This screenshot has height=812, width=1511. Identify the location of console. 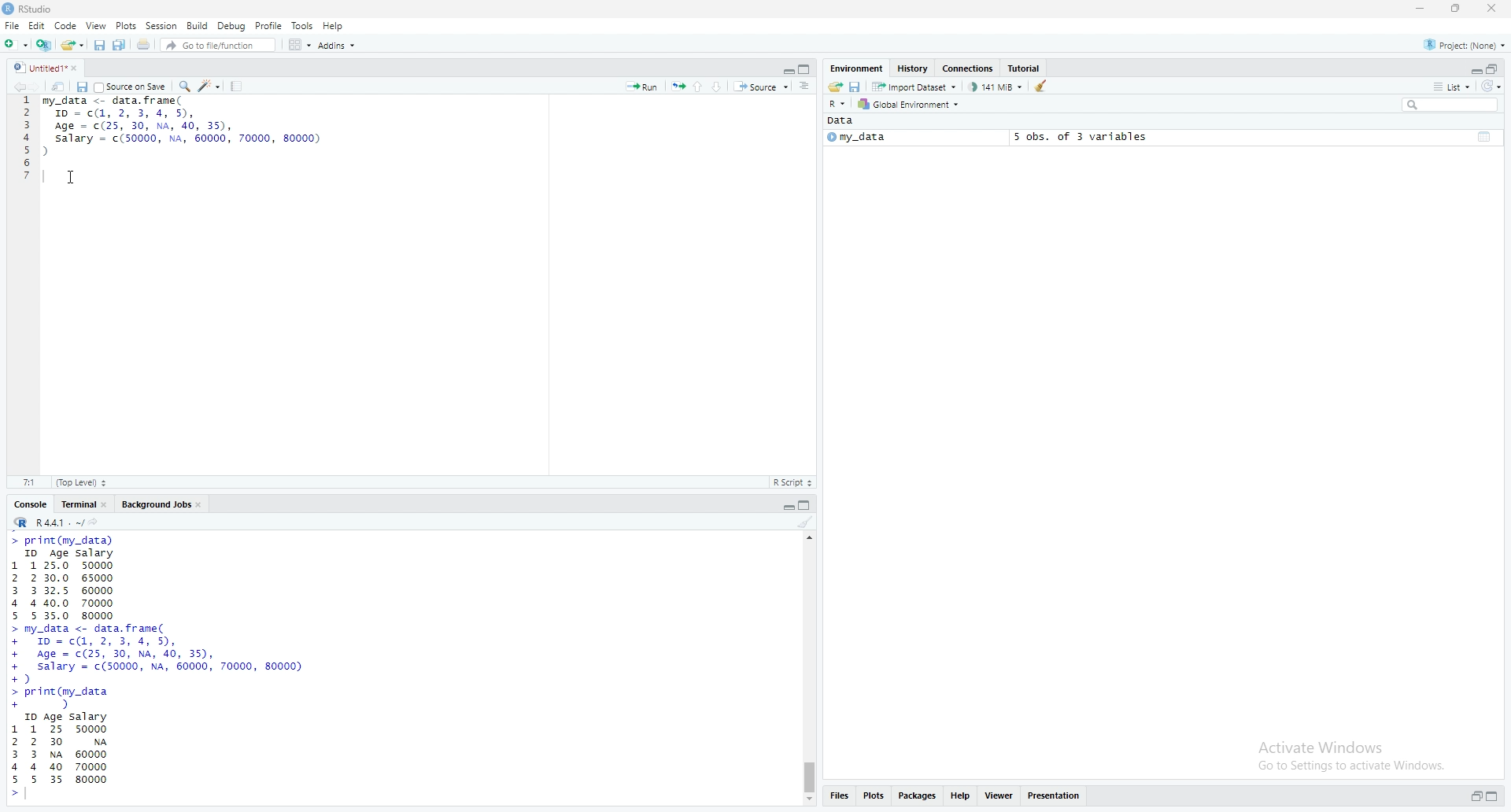
(32, 505).